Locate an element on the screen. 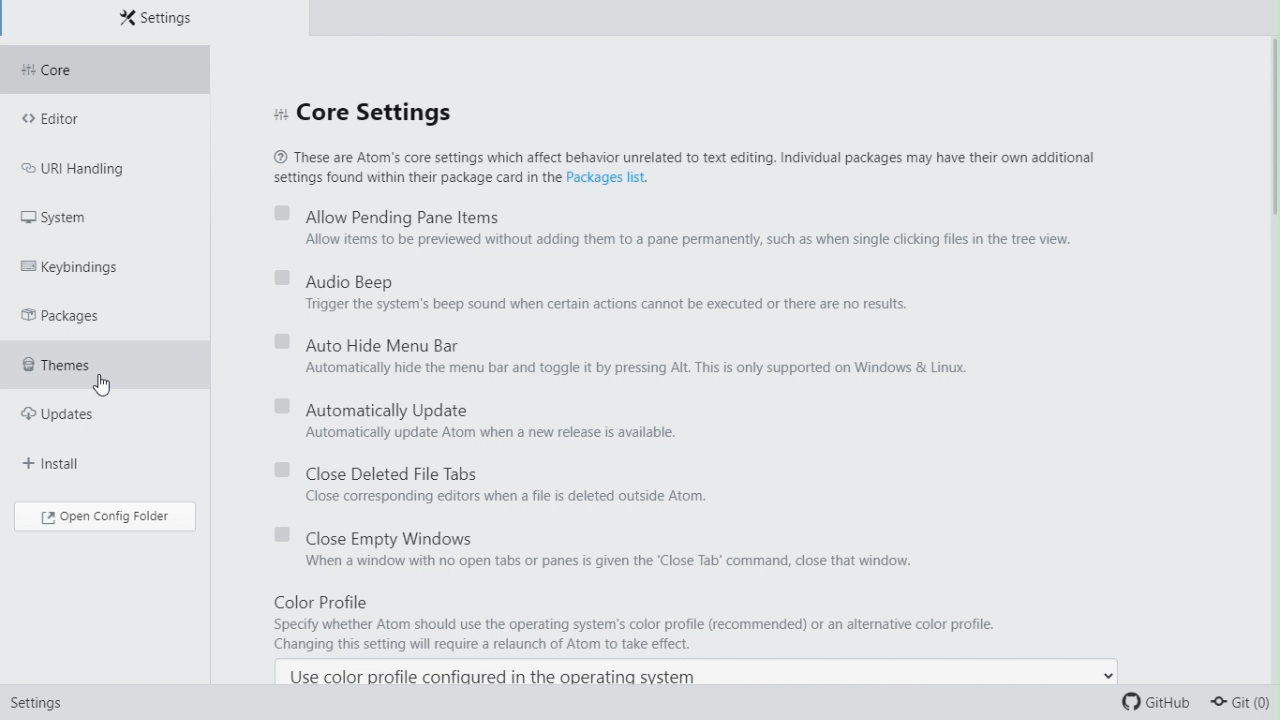  Settings is located at coordinates (154, 18).